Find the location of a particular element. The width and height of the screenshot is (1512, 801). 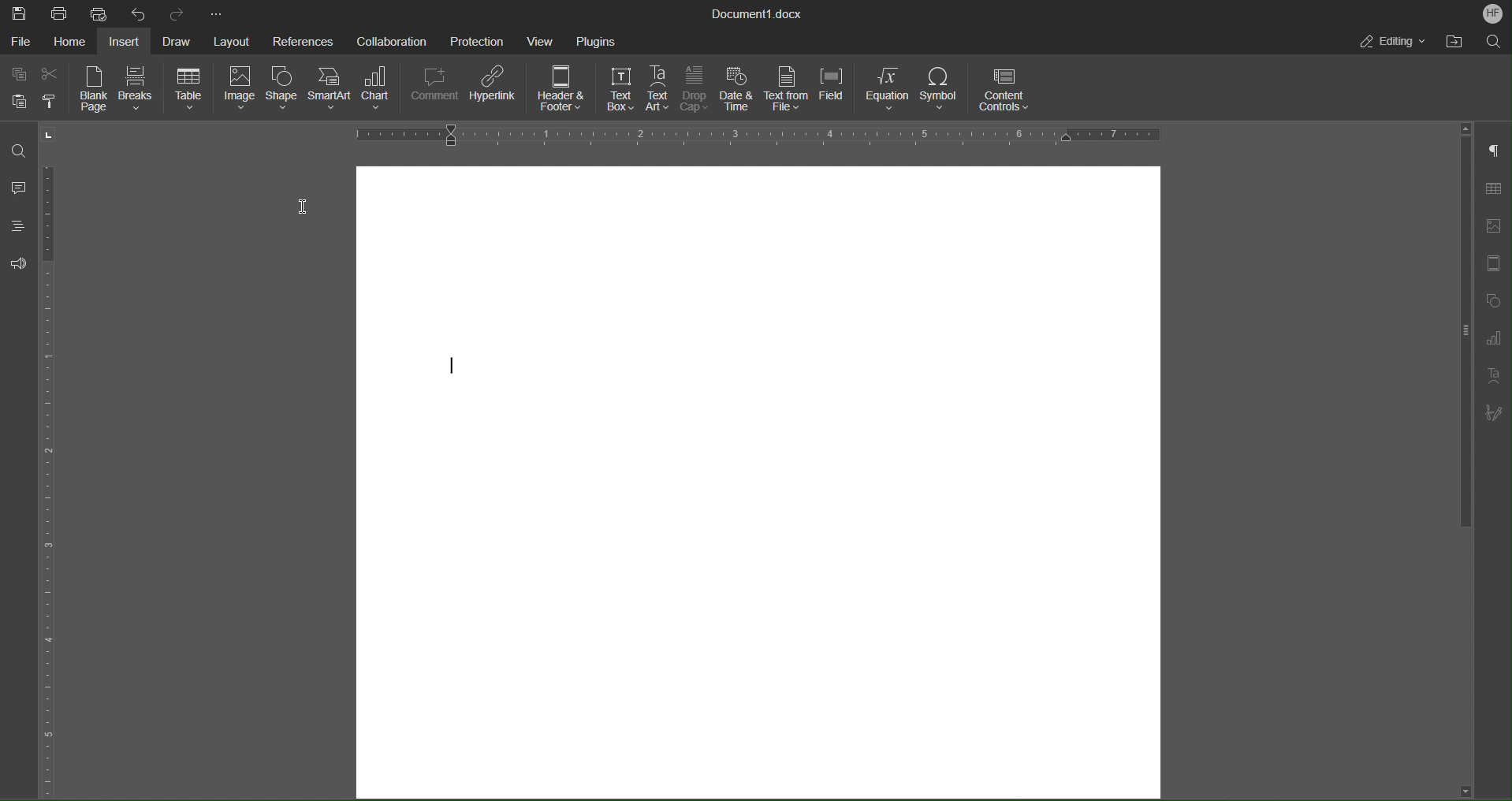

Home is located at coordinates (69, 39).